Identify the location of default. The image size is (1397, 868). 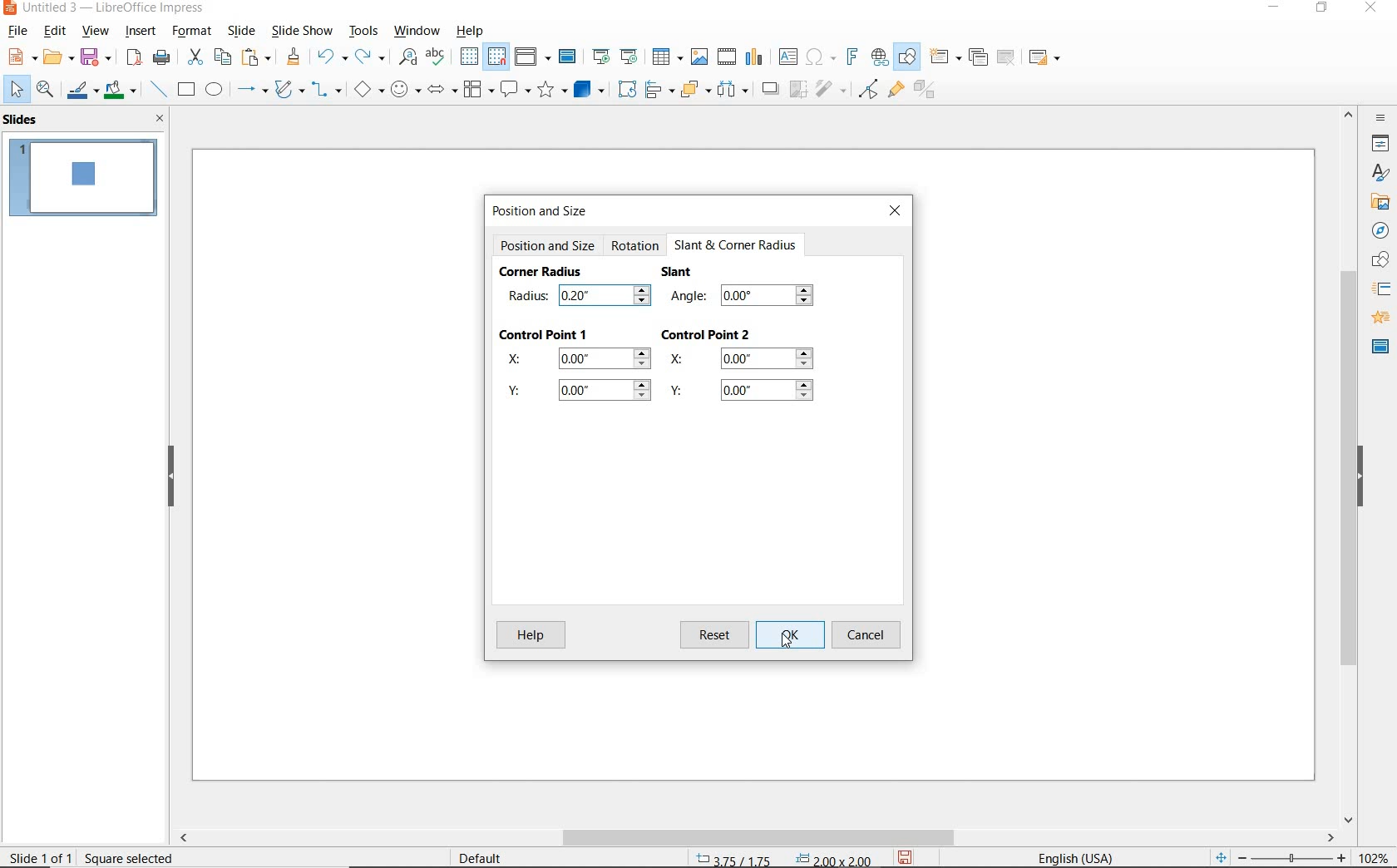
(484, 857).